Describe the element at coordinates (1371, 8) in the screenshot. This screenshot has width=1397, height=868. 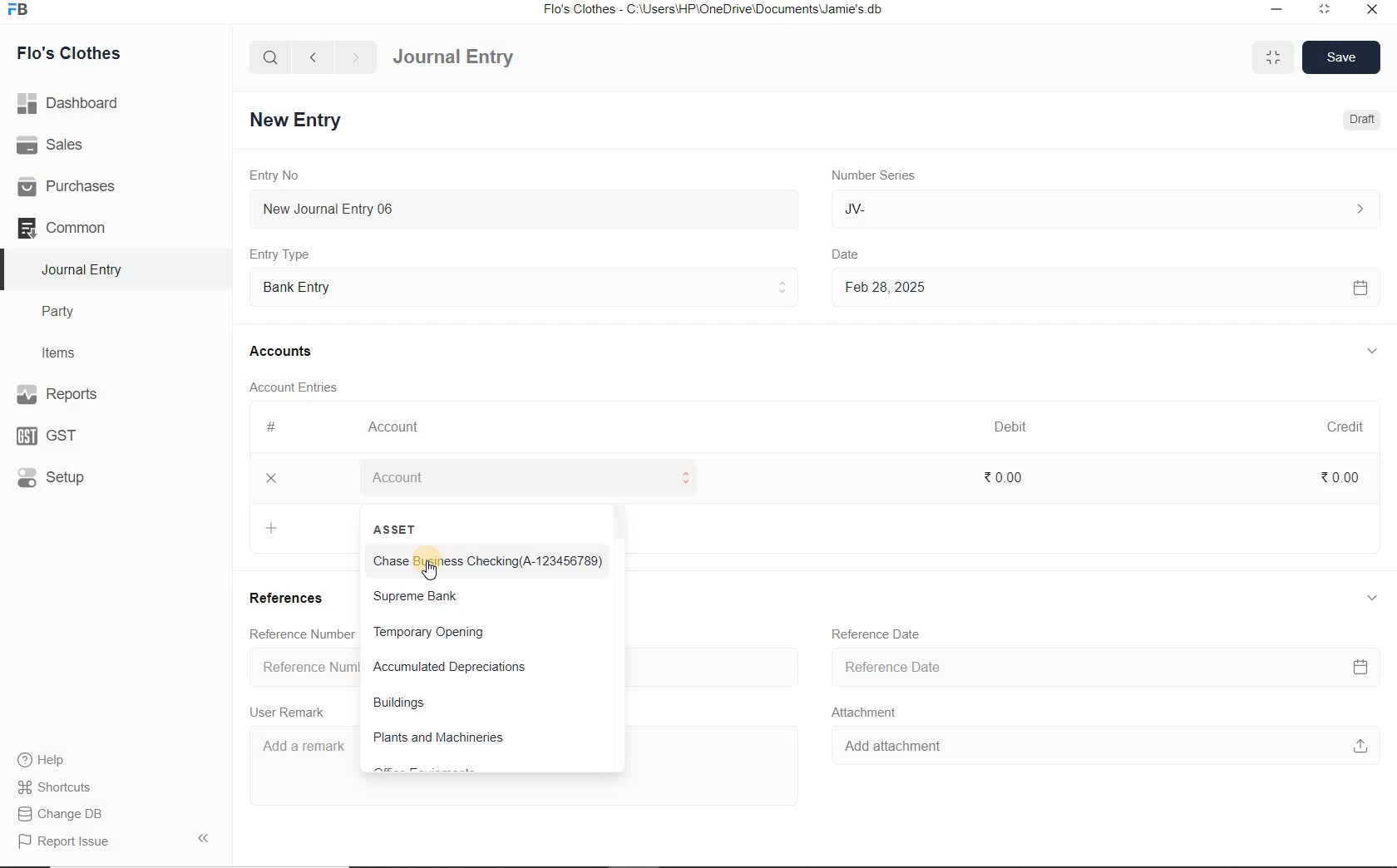
I see `close` at that location.